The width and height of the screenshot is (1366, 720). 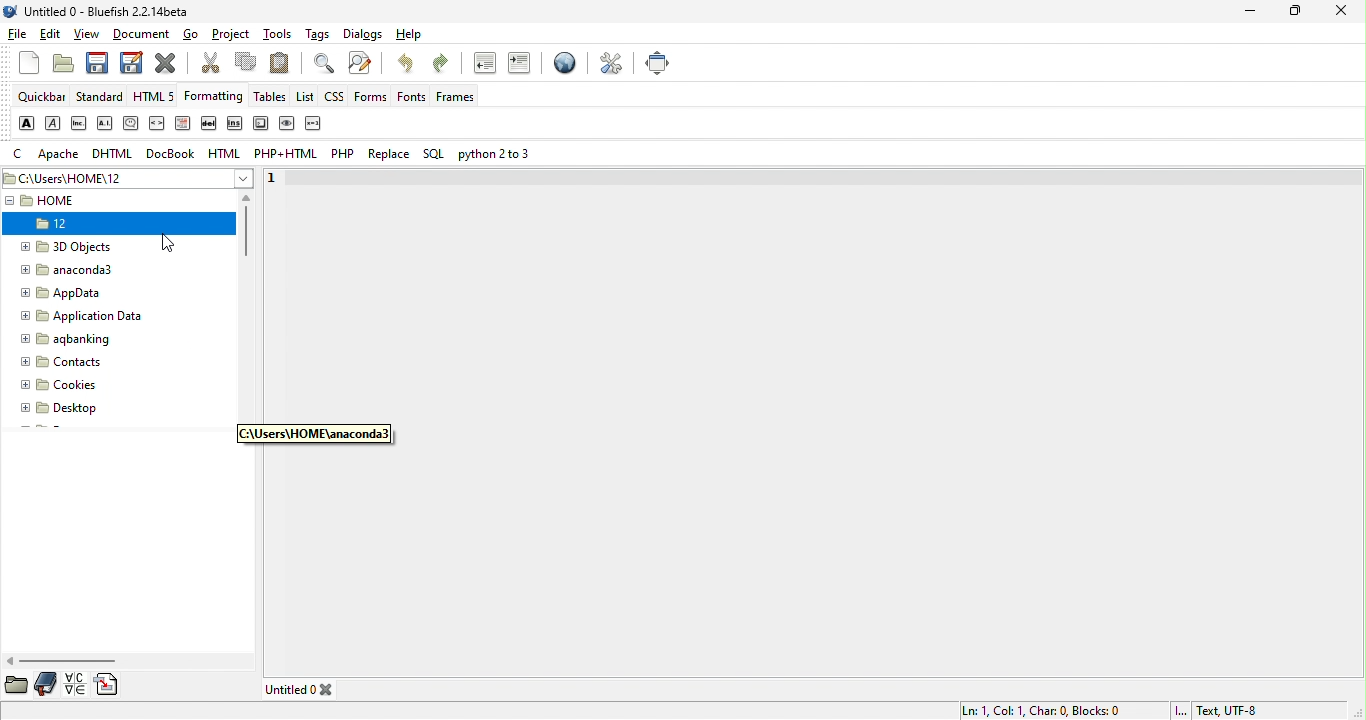 What do you see at coordinates (1223, 709) in the screenshot?
I see `text utf 8` at bounding box center [1223, 709].